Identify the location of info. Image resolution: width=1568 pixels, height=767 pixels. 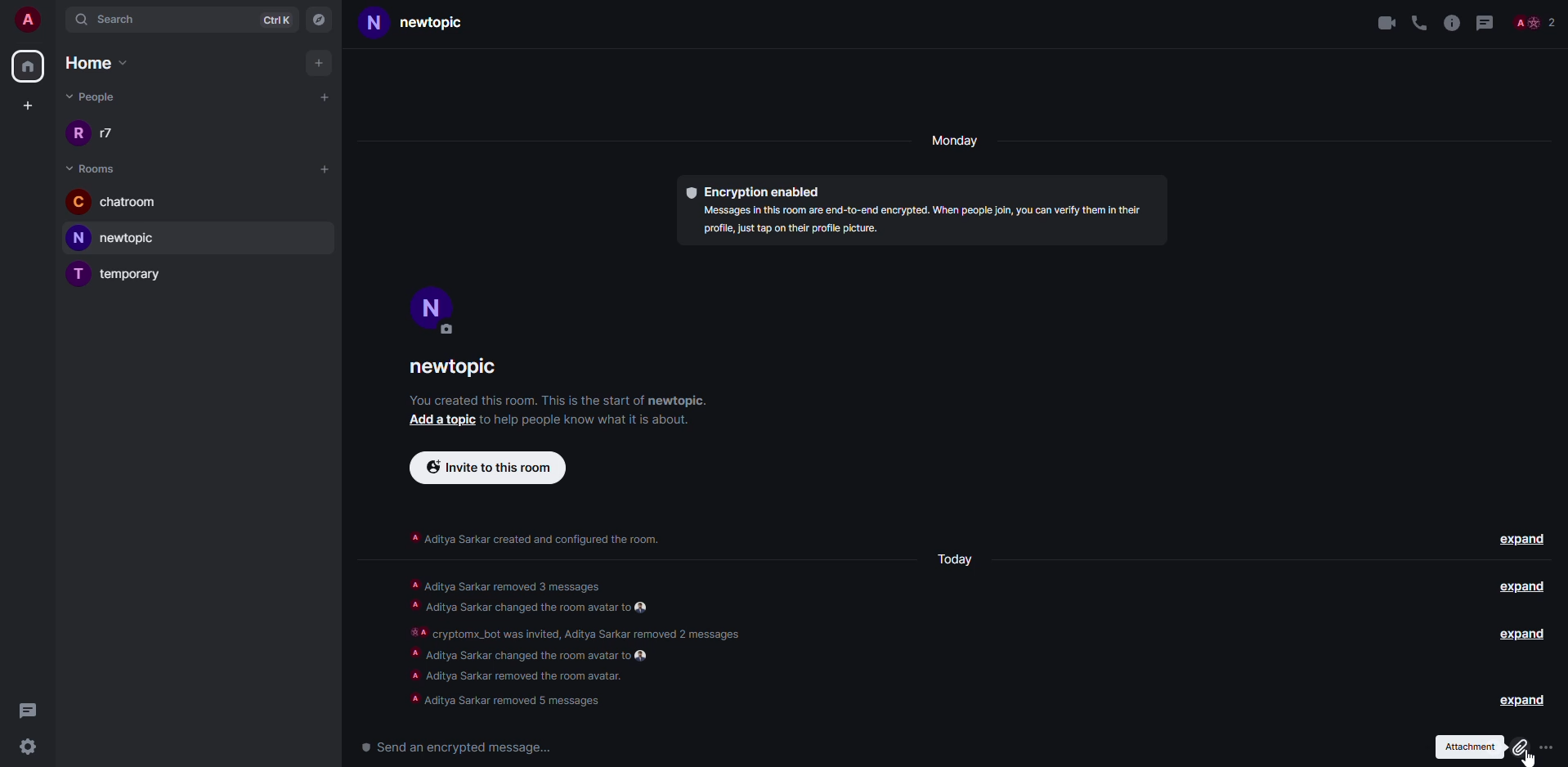
(1451, 22).